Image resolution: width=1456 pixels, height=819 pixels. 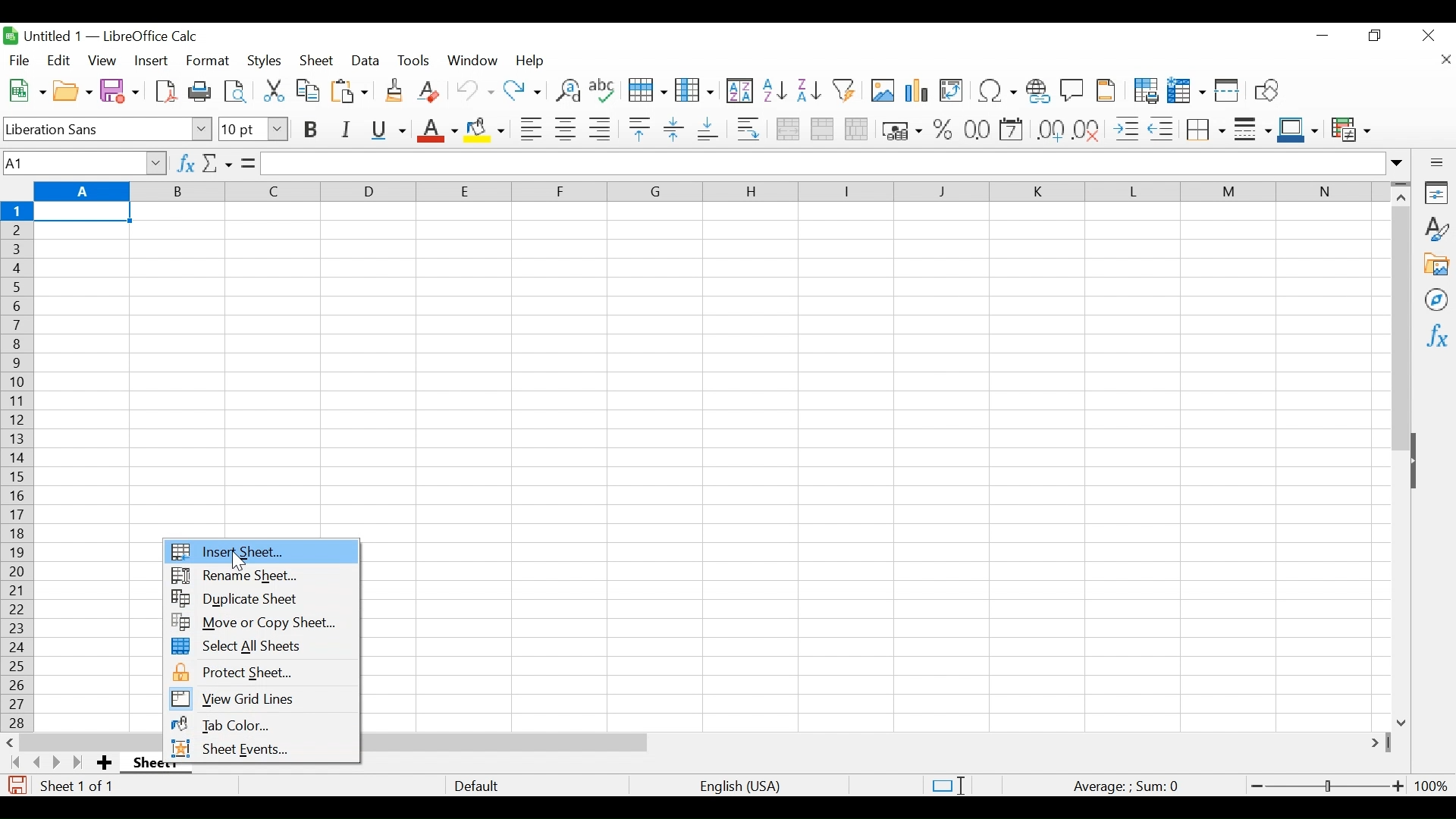 I want to click on Toggle print view, so click(x=236, y=89).